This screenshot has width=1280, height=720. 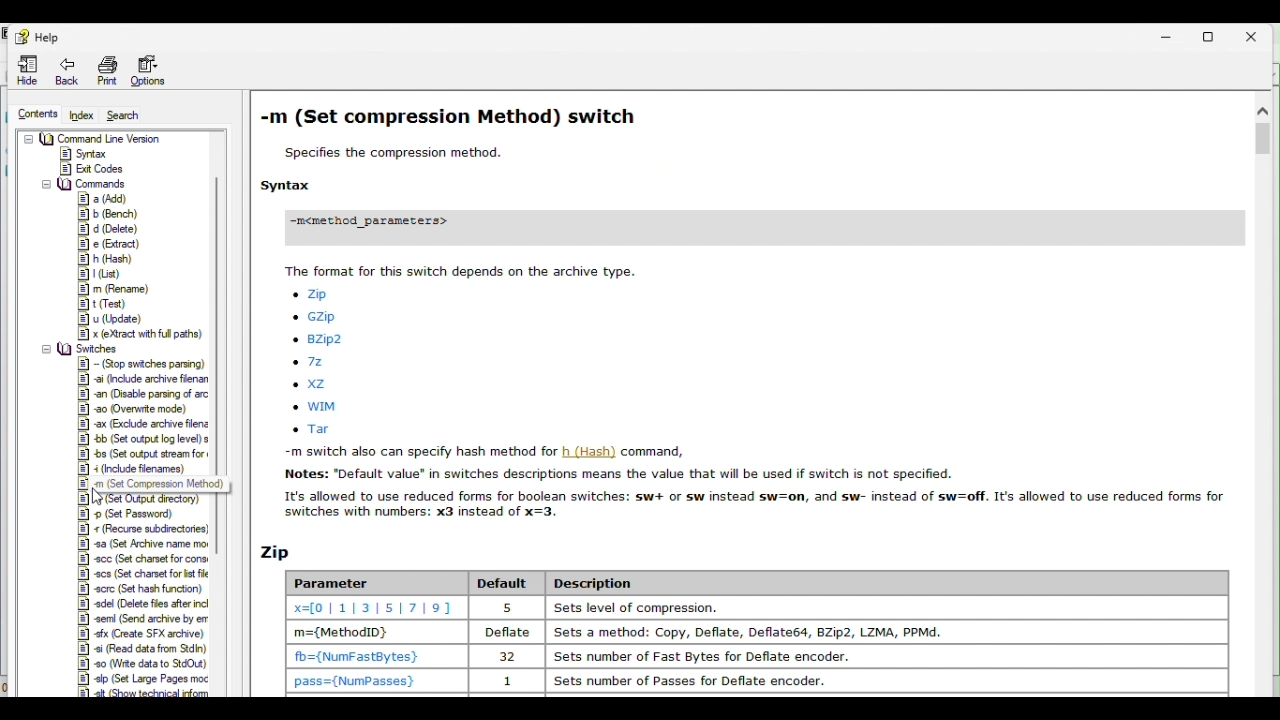 I want to click on seml, so click(x=143, y=620).